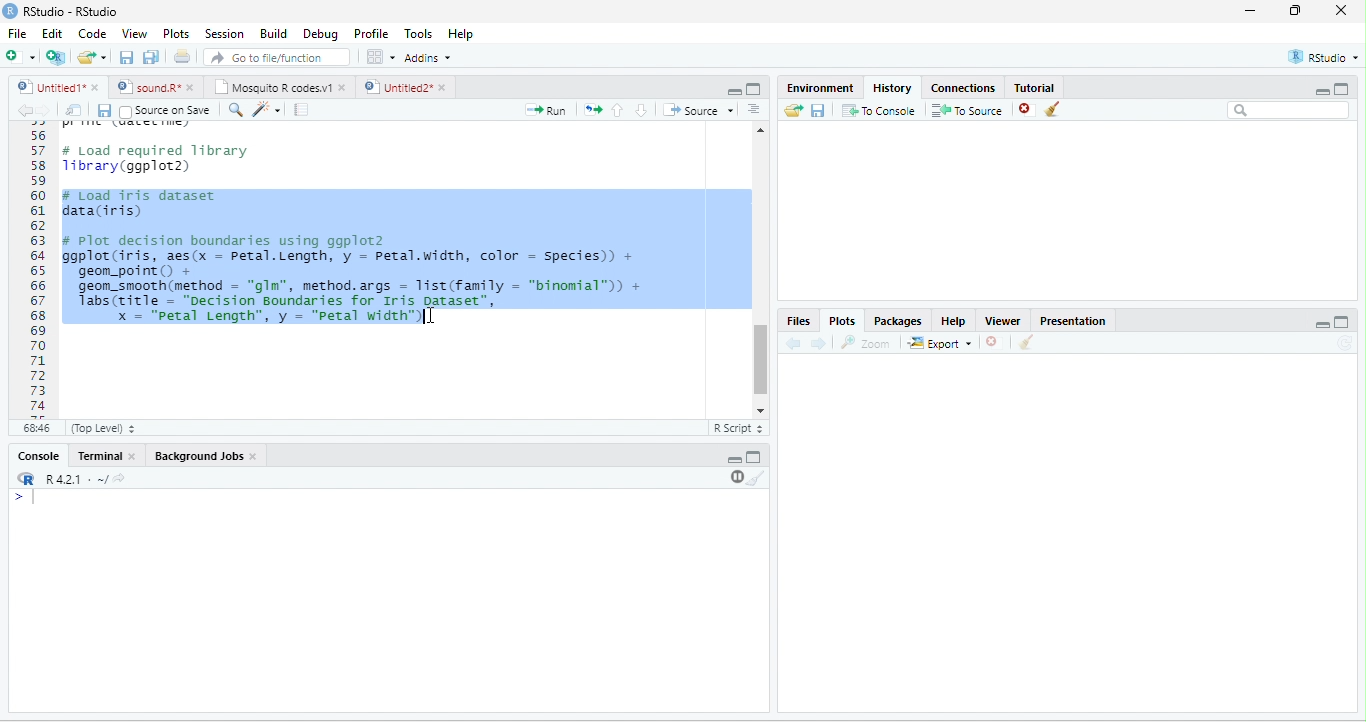  I want to click on Export, so click(940, 344).